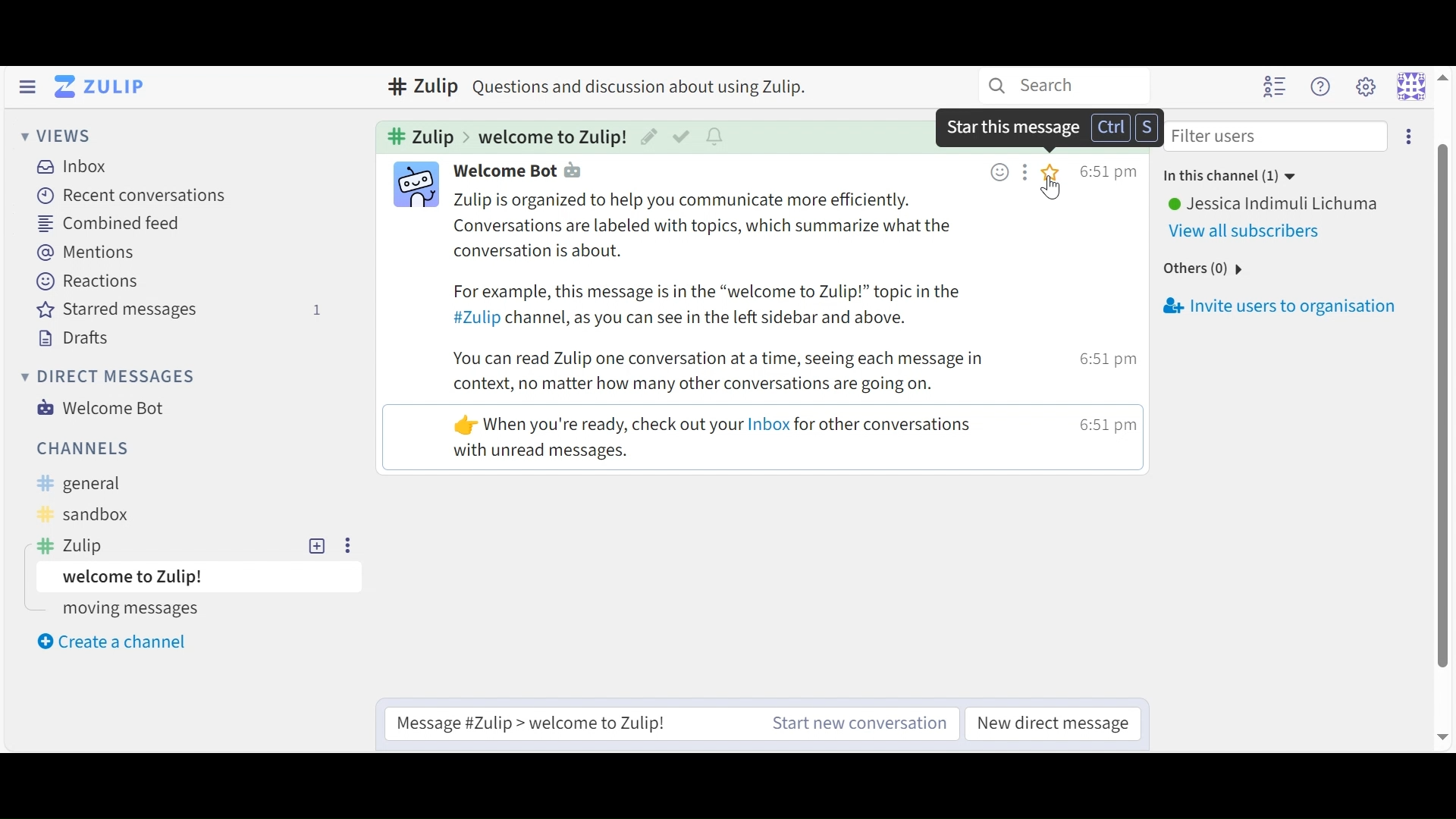  Describe the element at coordinates (1108, 171) in the screenshot. I see `Time` at that location.